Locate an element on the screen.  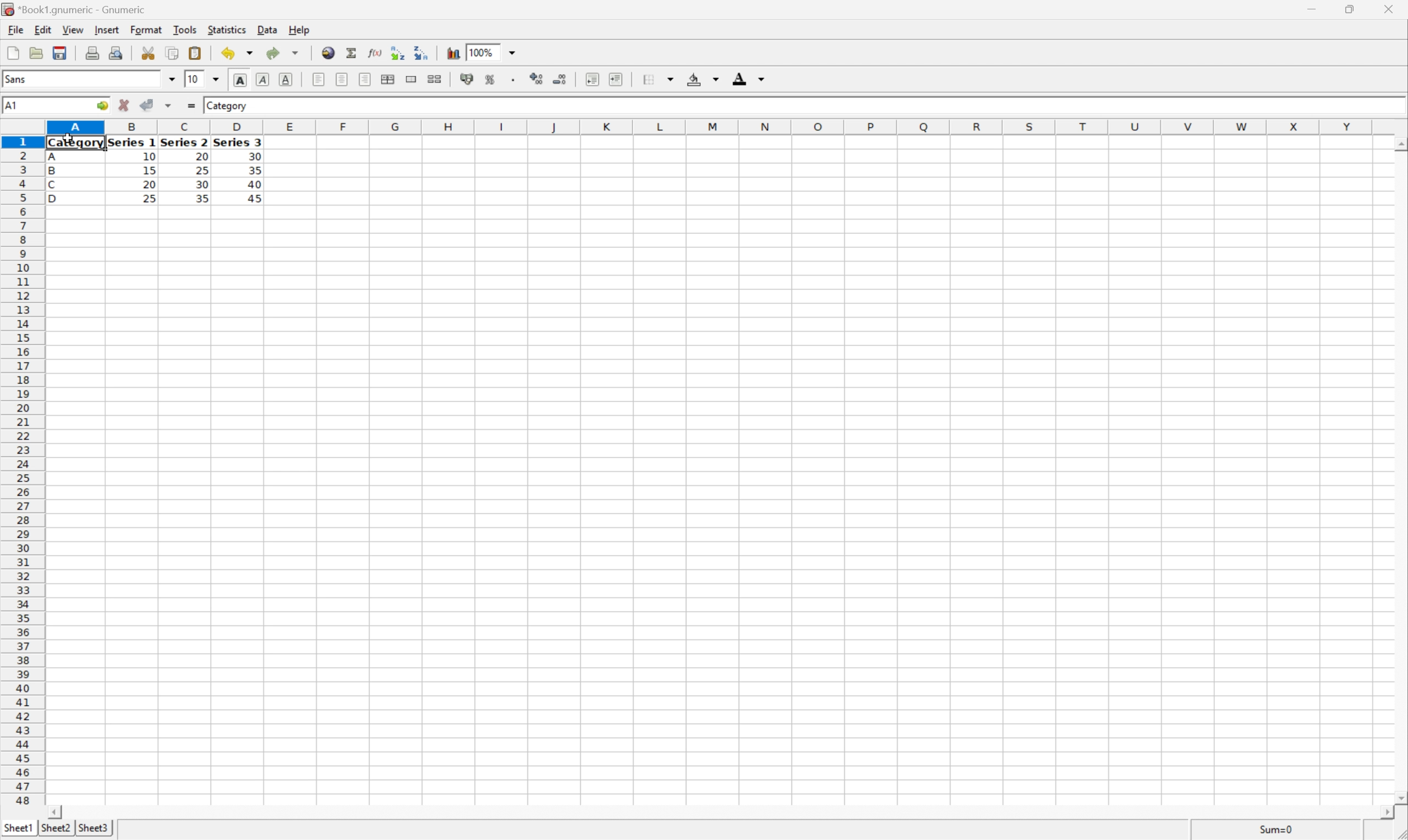
Increase the number of decimals displayed is located at coordinates (537, 79).